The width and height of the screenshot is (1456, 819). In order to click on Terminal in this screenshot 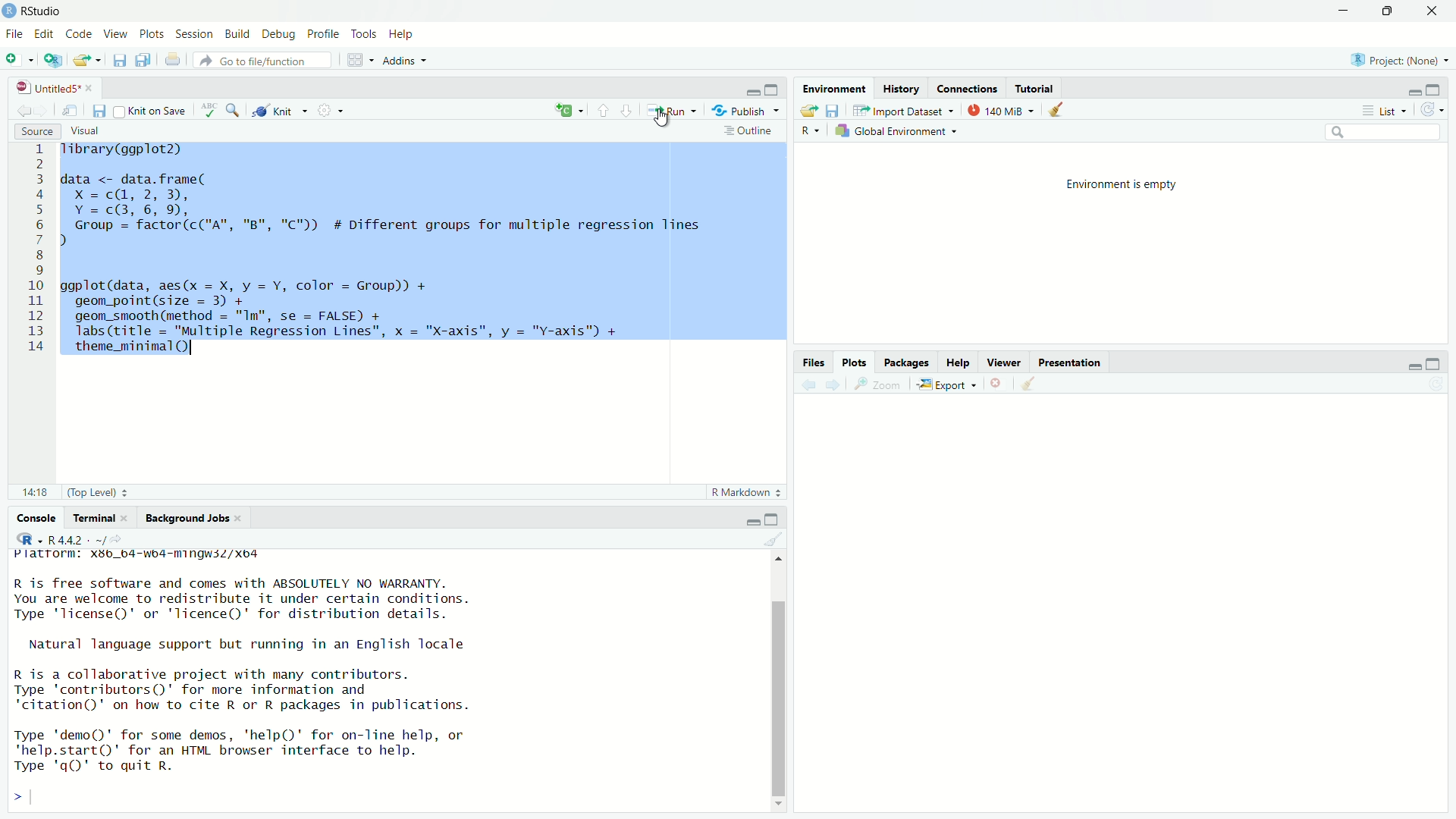, I will do `click(90, 516)`.